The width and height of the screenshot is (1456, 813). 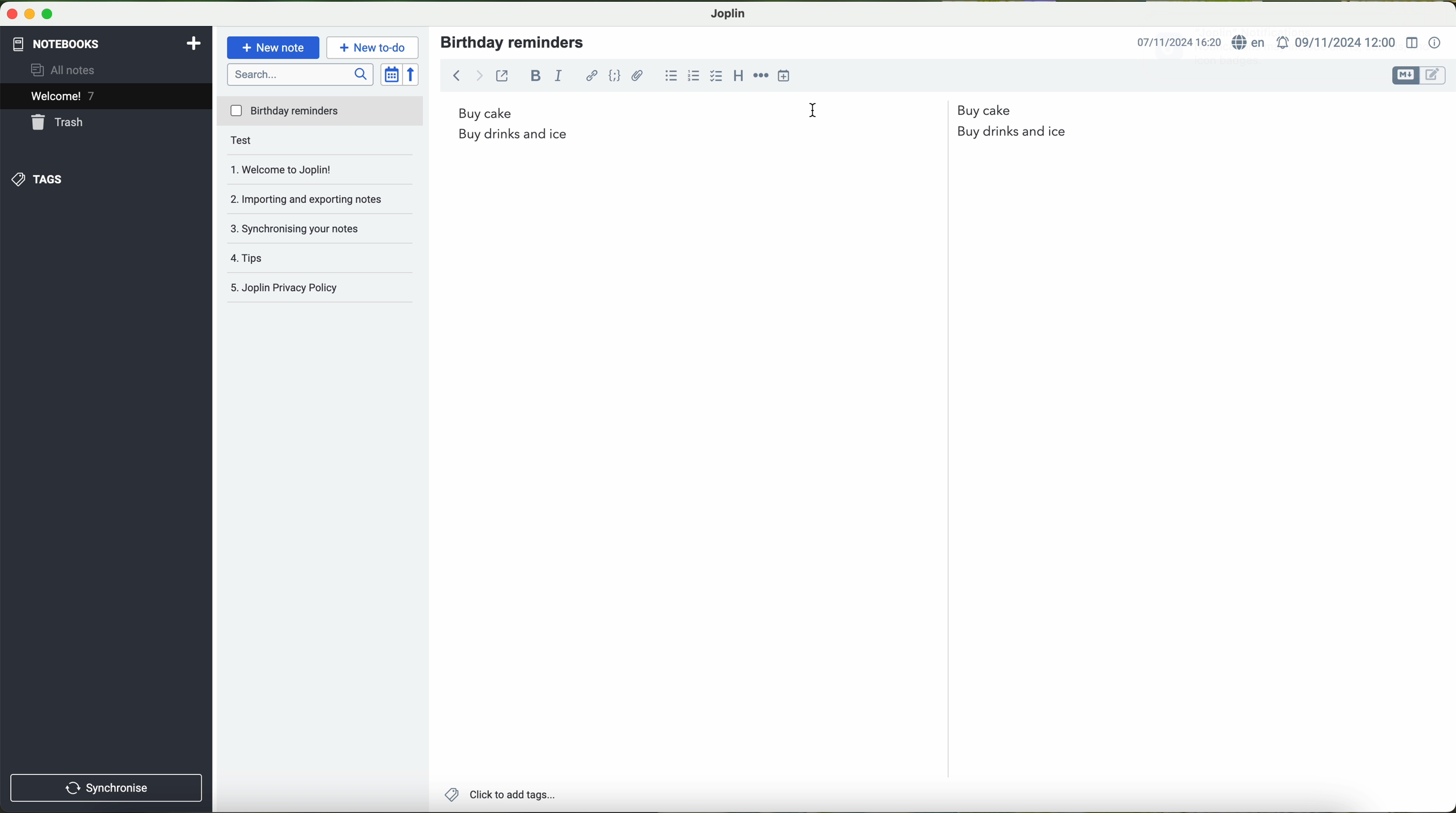 I want to click on toggle external editing, so click(x=502, y=75).